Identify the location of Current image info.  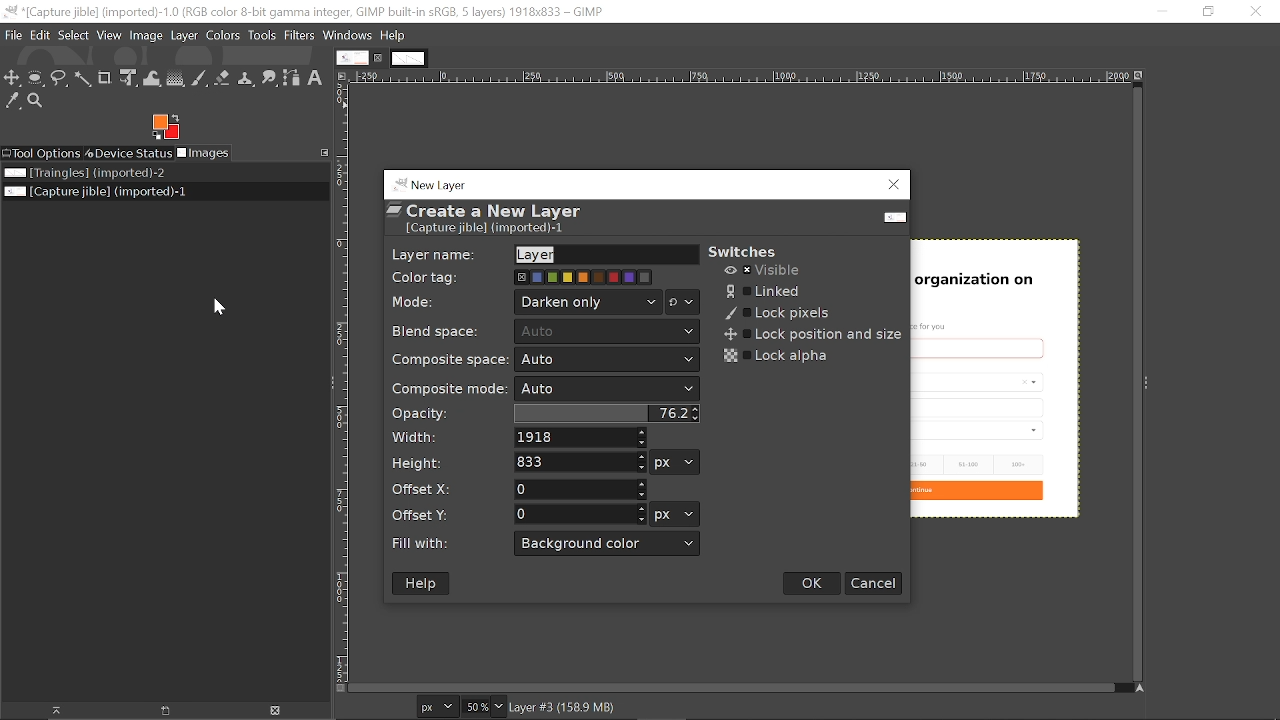
(564, 708).